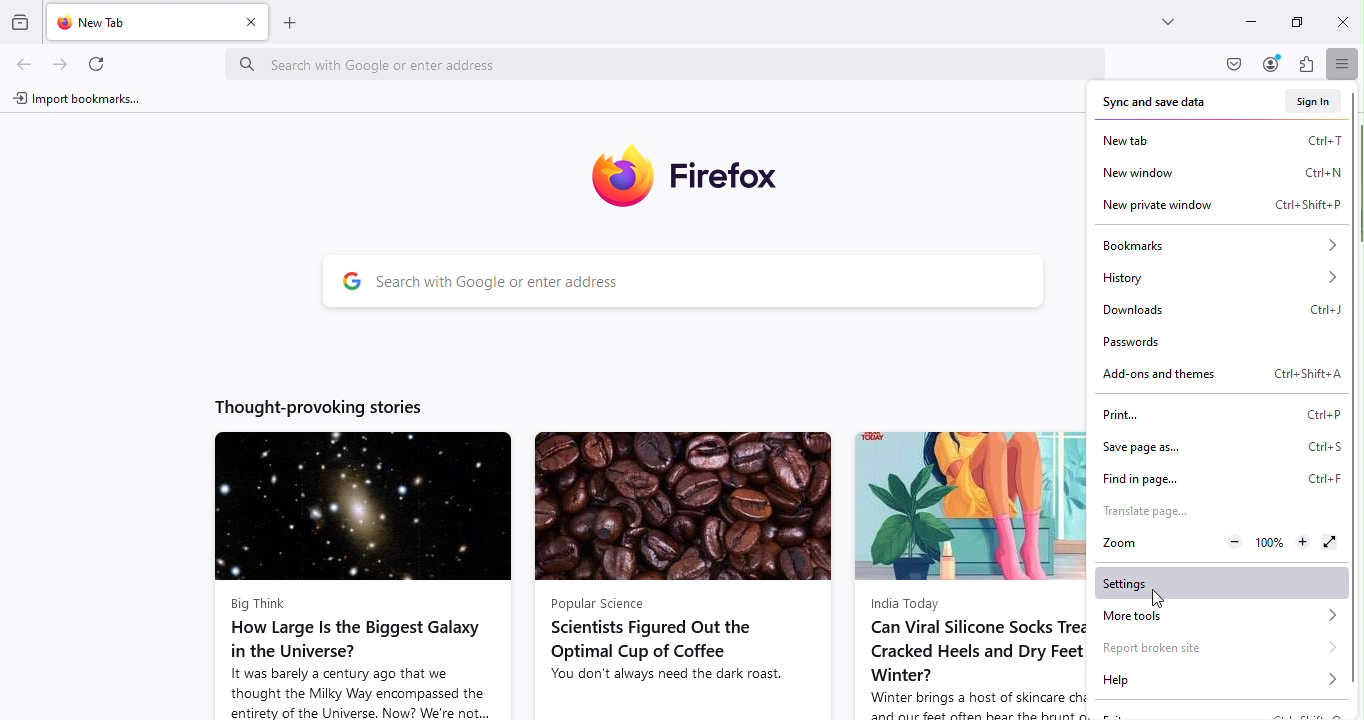 The image size is (1364, 720). I want to click on Reload current page, so click(99, 62).